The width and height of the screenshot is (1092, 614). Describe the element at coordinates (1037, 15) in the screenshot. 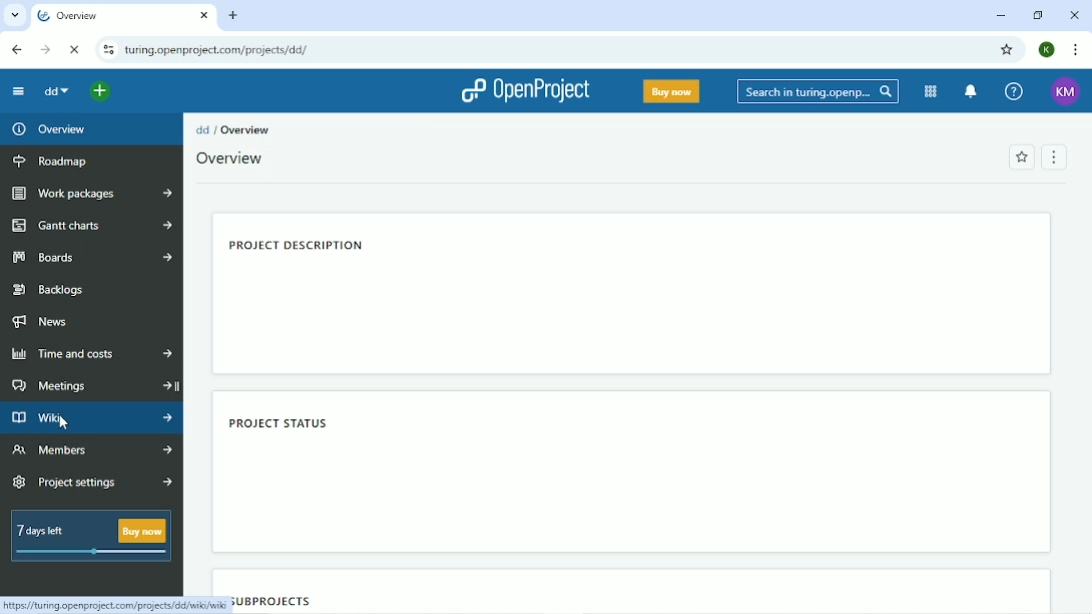

I see `Restore down` at that location.